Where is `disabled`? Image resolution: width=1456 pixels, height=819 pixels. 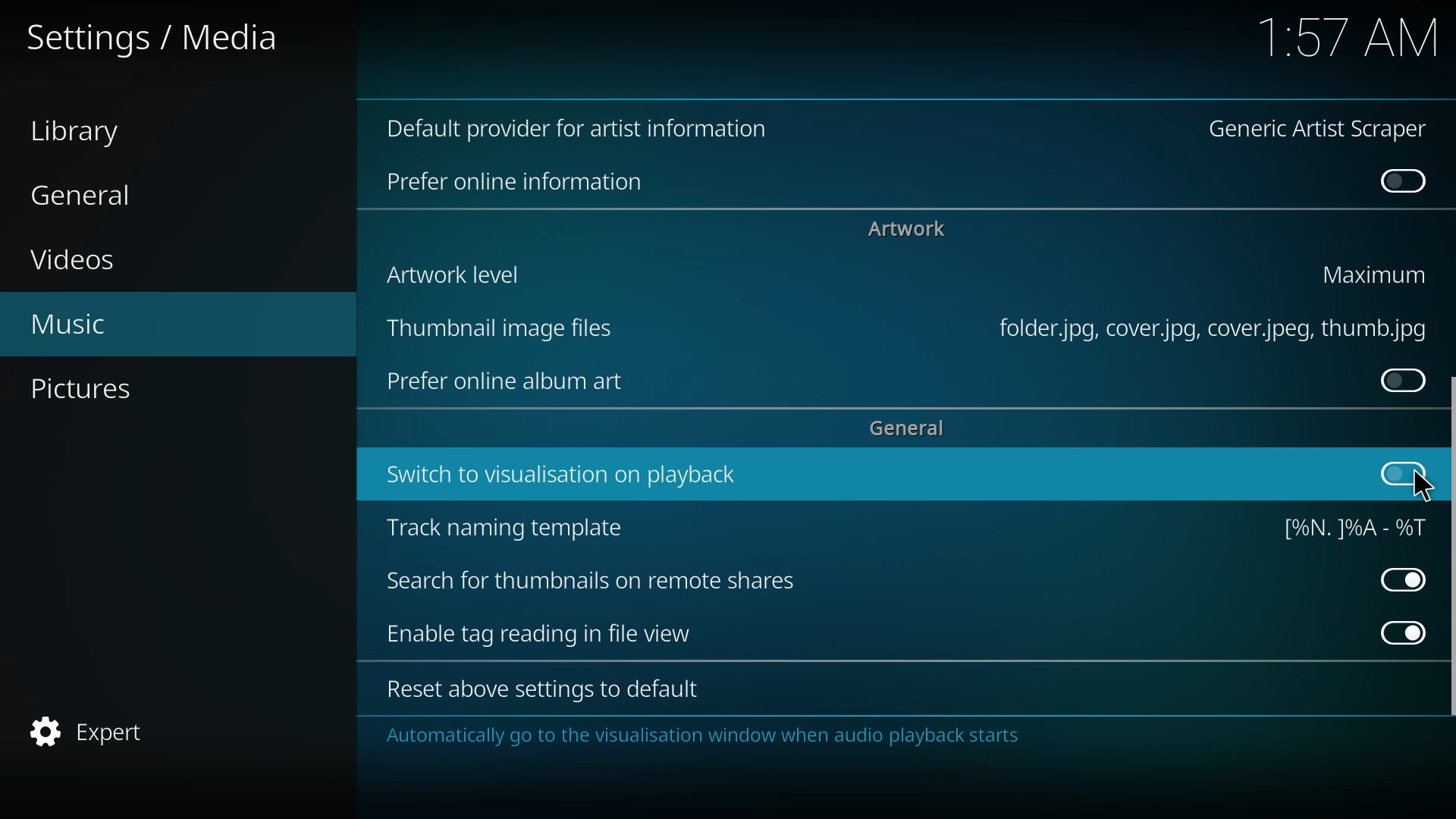
disabled is located at coordinates (1401, 183).